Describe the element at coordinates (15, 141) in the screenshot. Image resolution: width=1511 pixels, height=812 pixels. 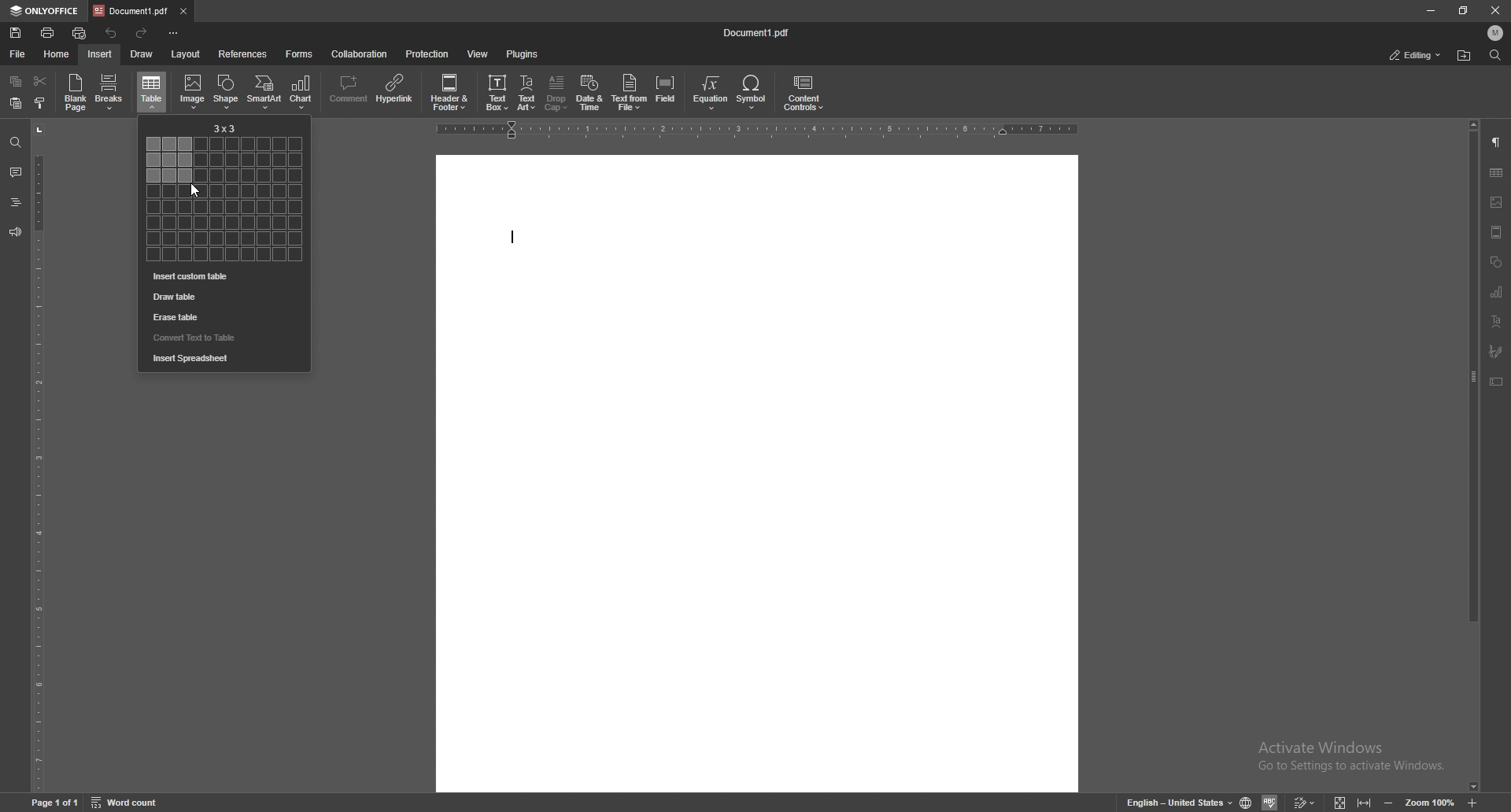
I see `find` at that location.